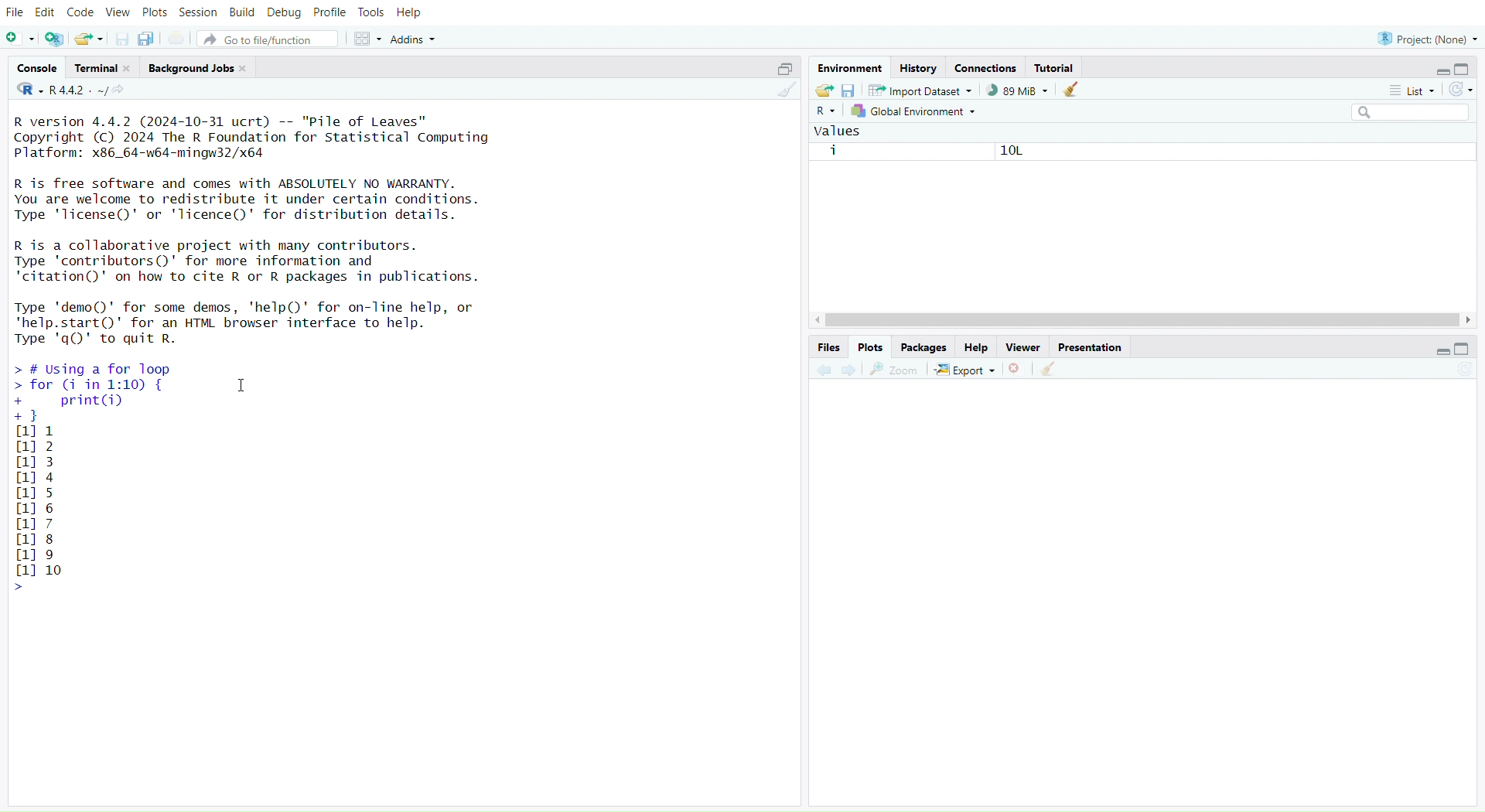 Image resolution: width=1485 pixels, height=812 pixels. Describe the element at coordinates (1144, 320) in the screenshot. I see `scrollbar` at that location.